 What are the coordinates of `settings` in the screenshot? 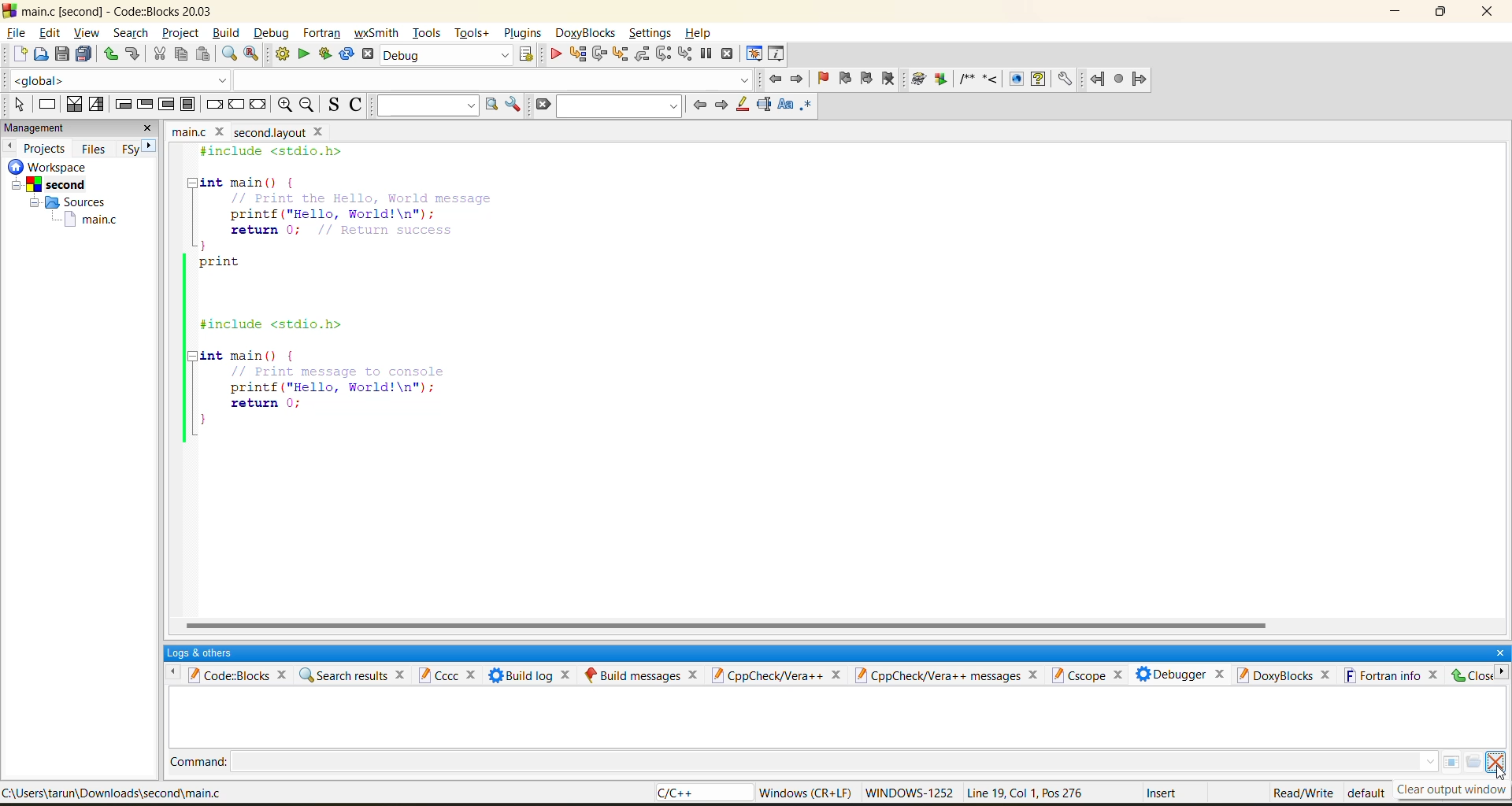 It's located at (650, 33).